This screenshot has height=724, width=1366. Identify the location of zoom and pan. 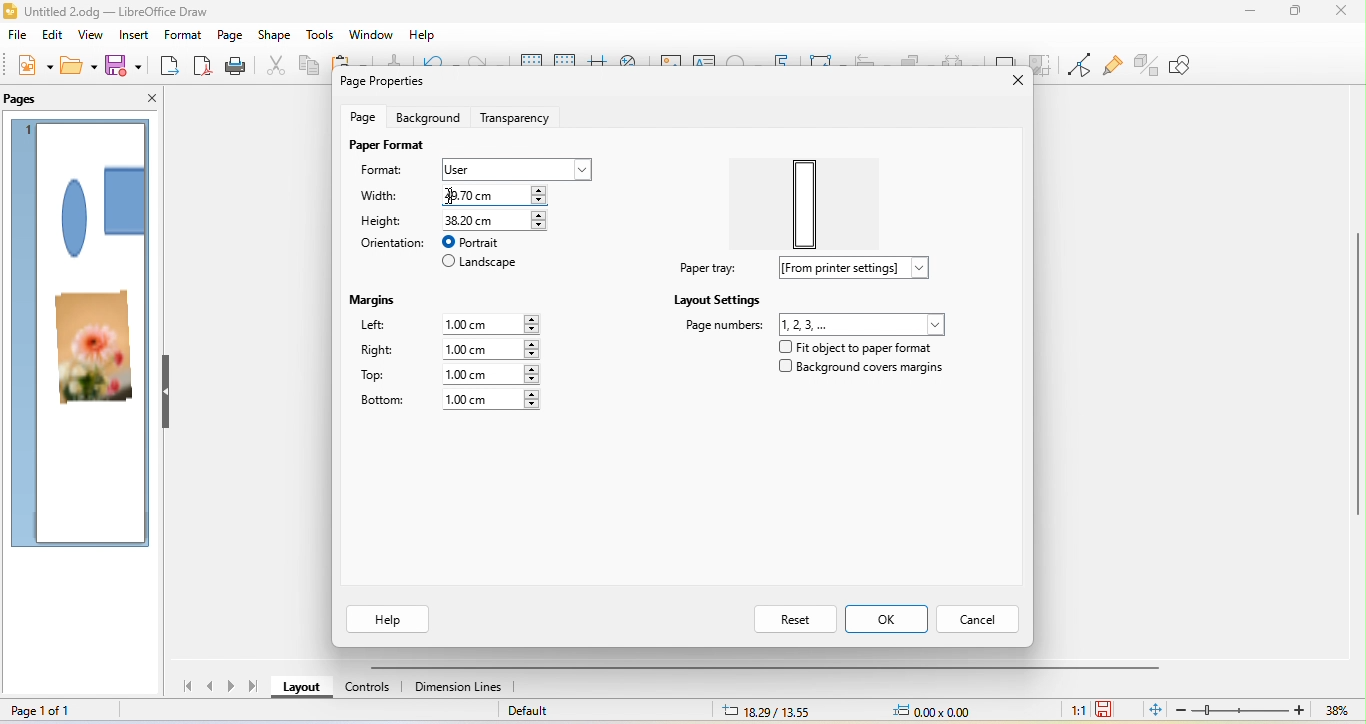
(637, 59).